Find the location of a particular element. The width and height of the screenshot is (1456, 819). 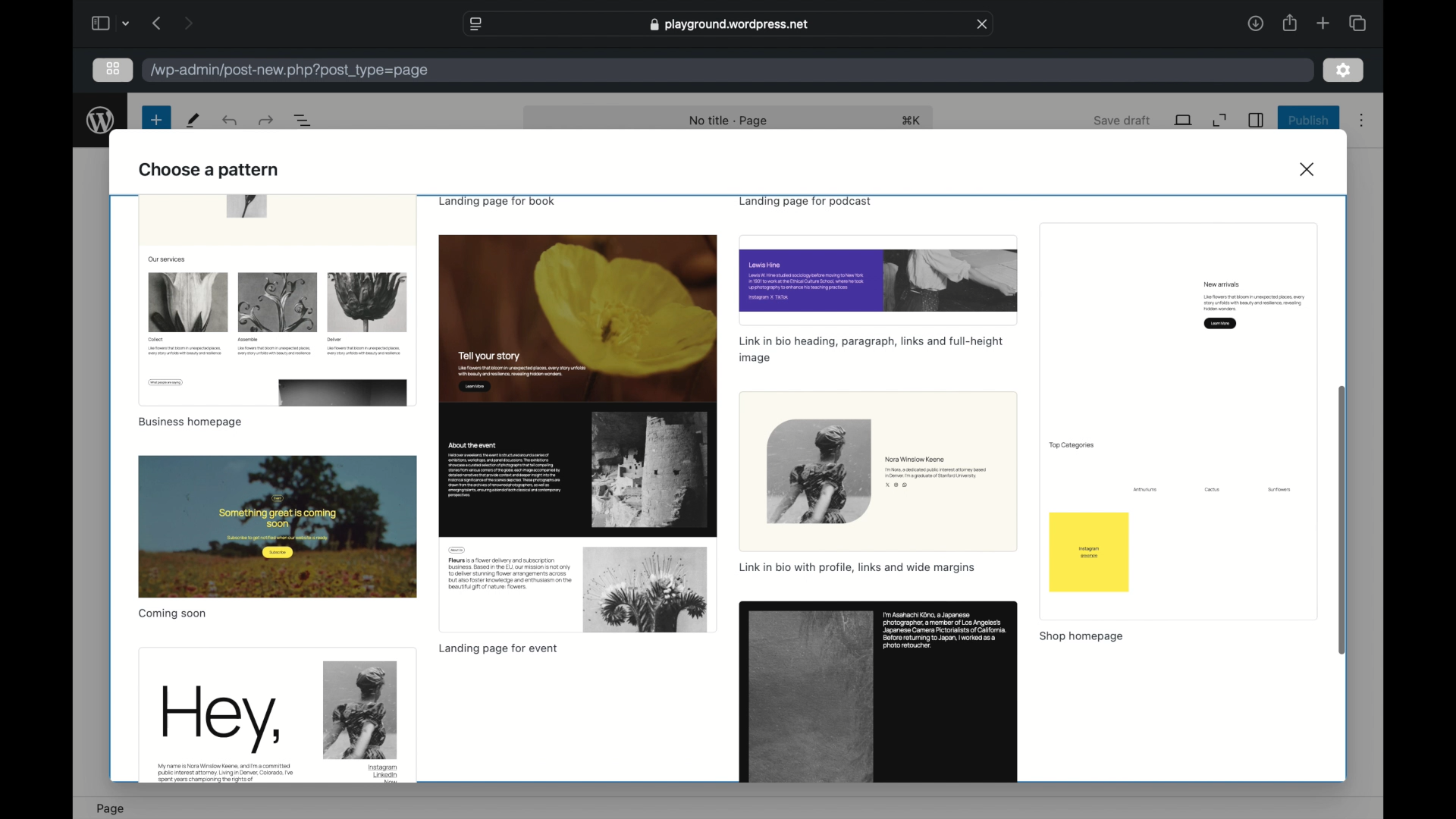

preview is located at coordinates (276, 716).